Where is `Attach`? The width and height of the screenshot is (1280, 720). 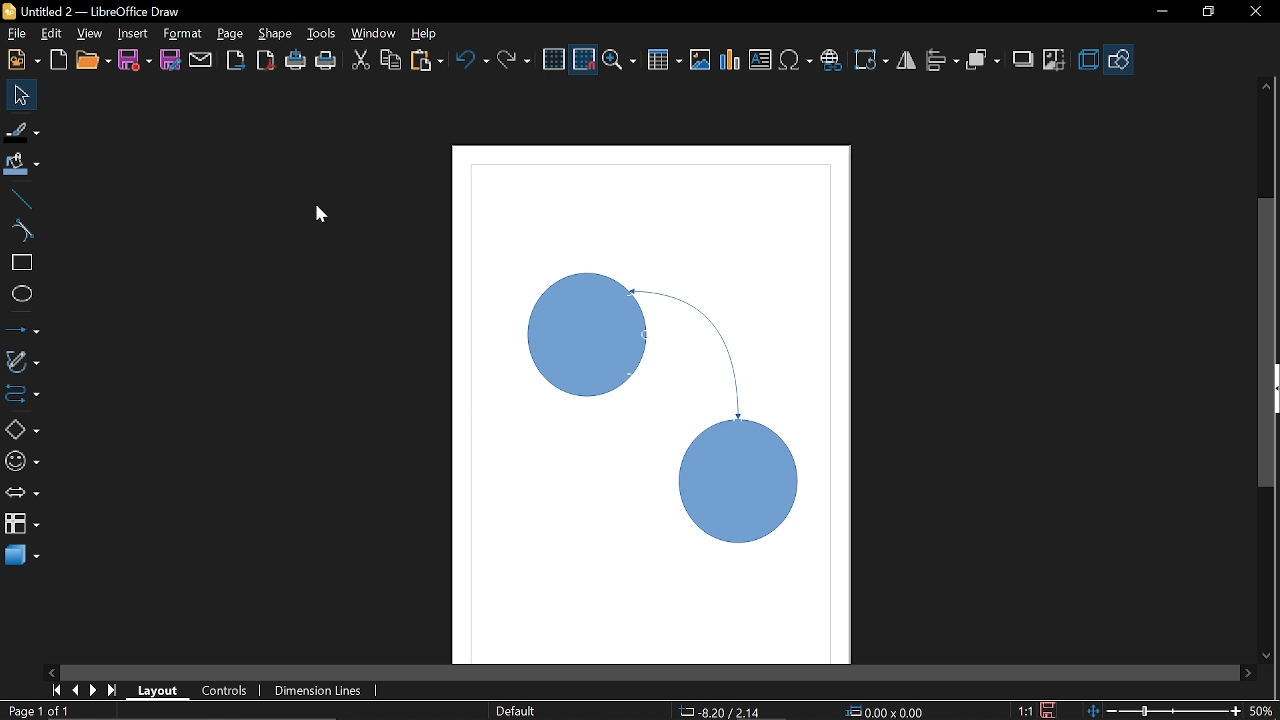 Attach is located at coordinates (201, 59).